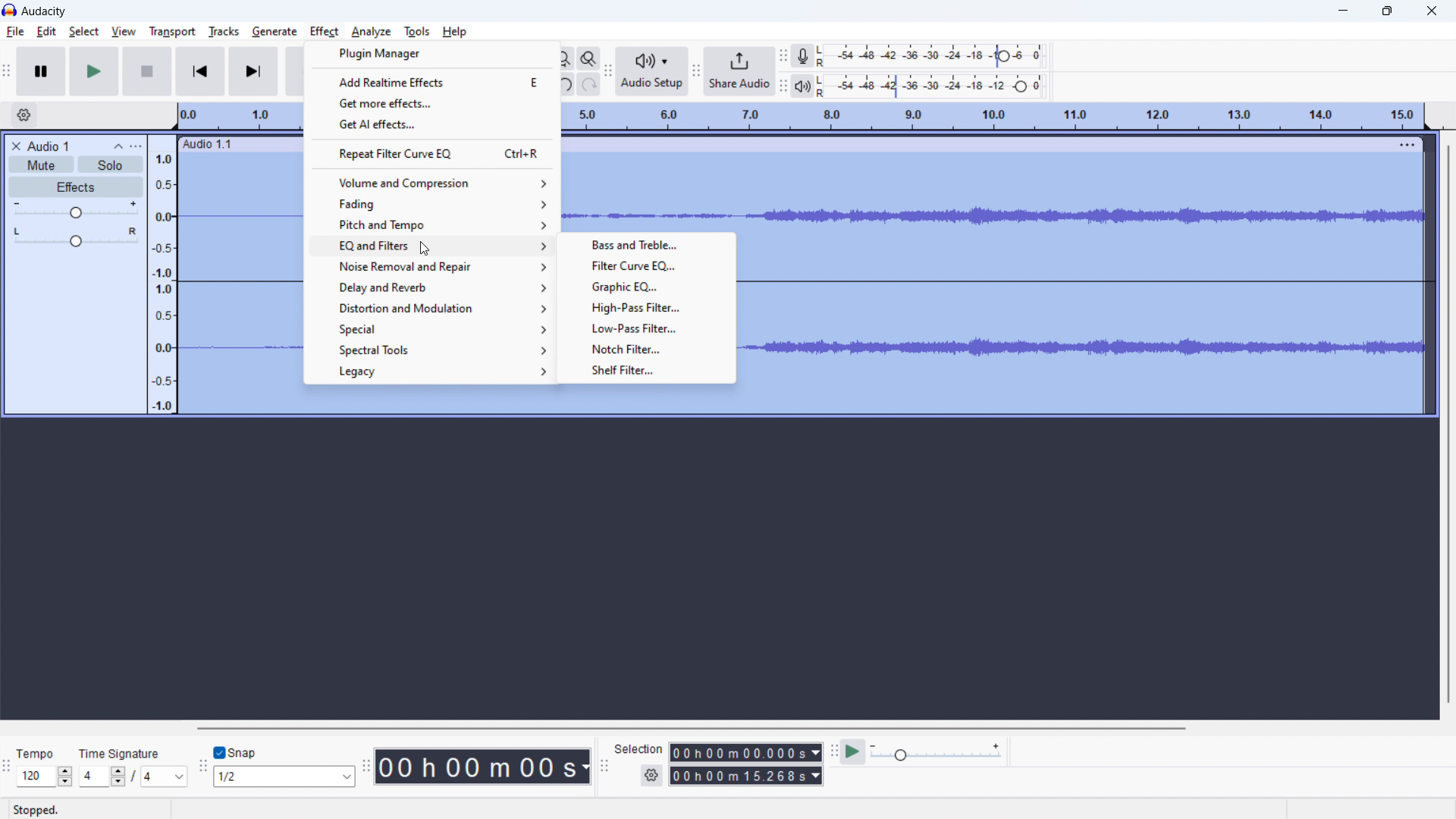  I want to click on EQ and filters, so click(431, 246).